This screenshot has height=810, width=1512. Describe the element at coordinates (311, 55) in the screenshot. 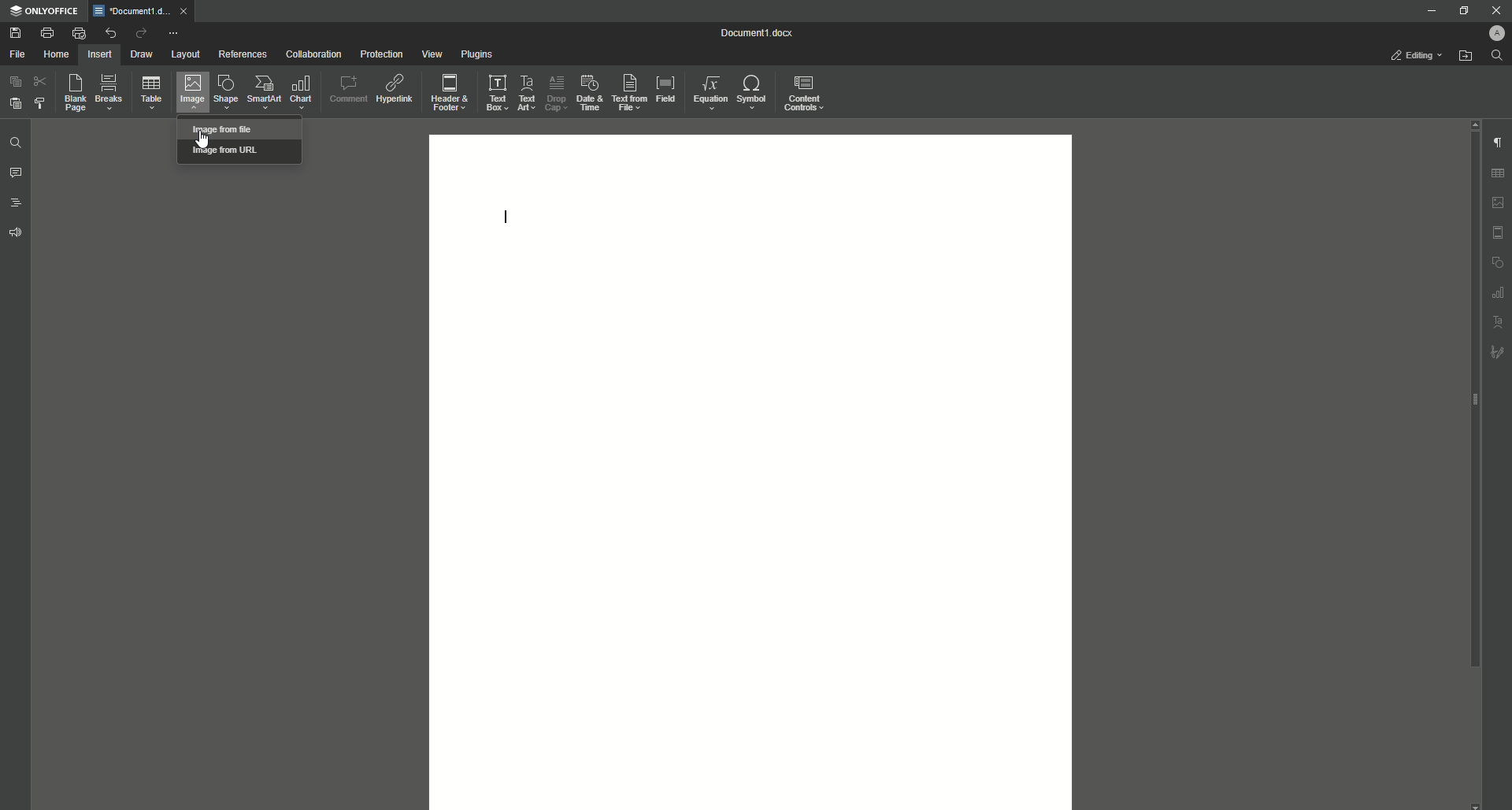

I see `Collaboration` at that location.